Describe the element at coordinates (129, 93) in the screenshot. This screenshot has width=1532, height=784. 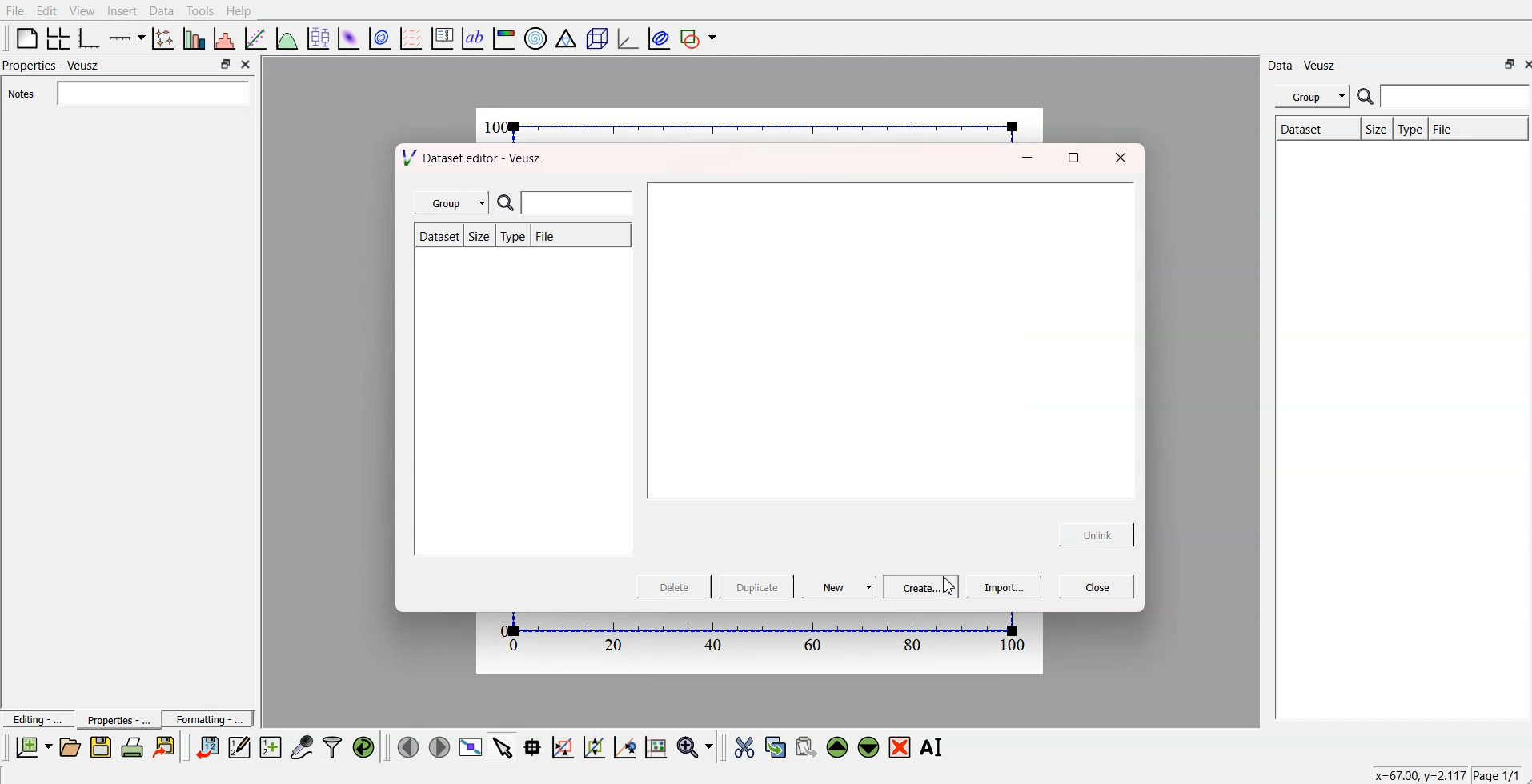
I see `Notes` at that location.